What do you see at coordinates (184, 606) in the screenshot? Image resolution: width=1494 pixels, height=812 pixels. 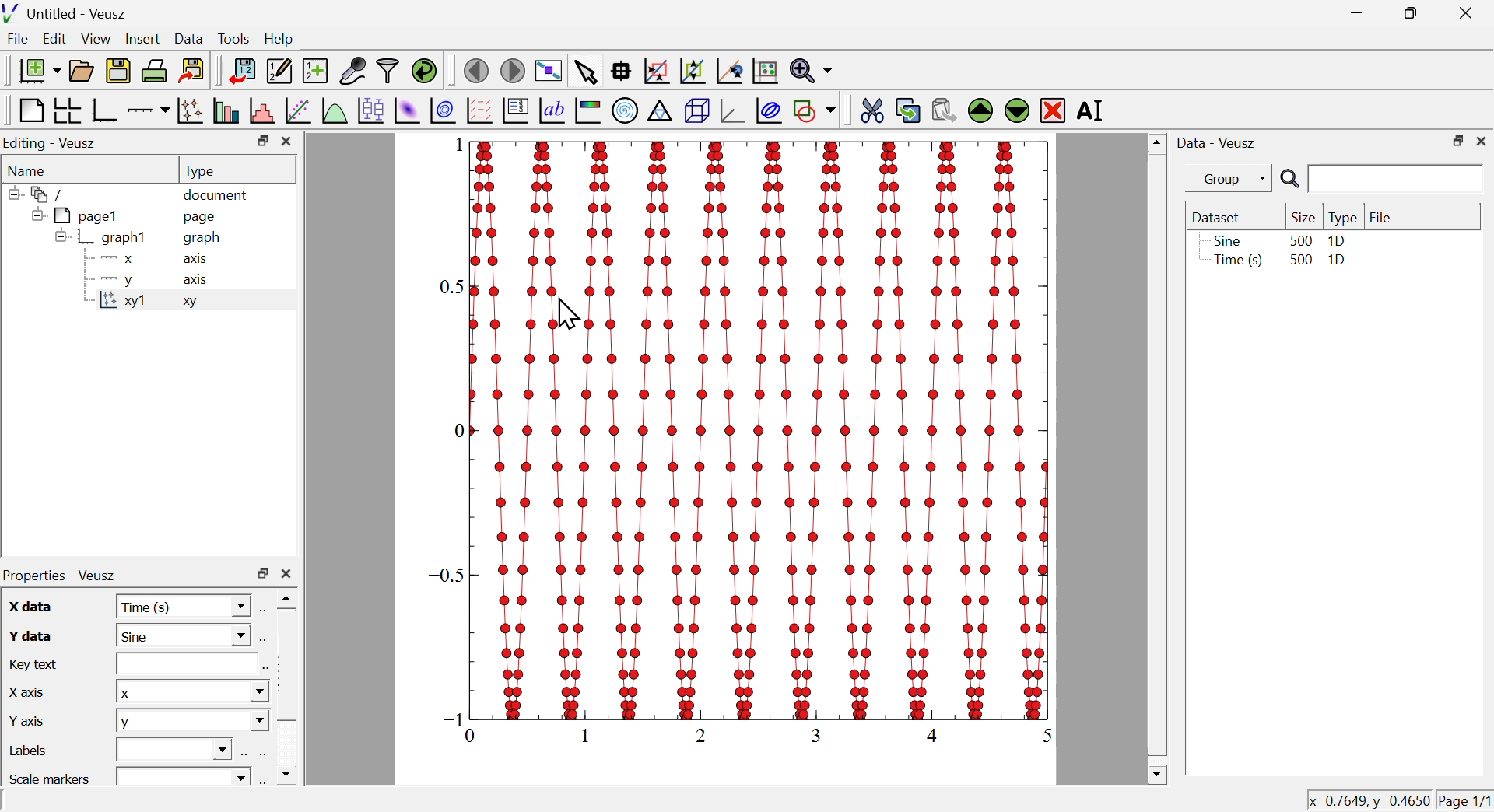 I see `time(s)` at bounding box center [184, 606].